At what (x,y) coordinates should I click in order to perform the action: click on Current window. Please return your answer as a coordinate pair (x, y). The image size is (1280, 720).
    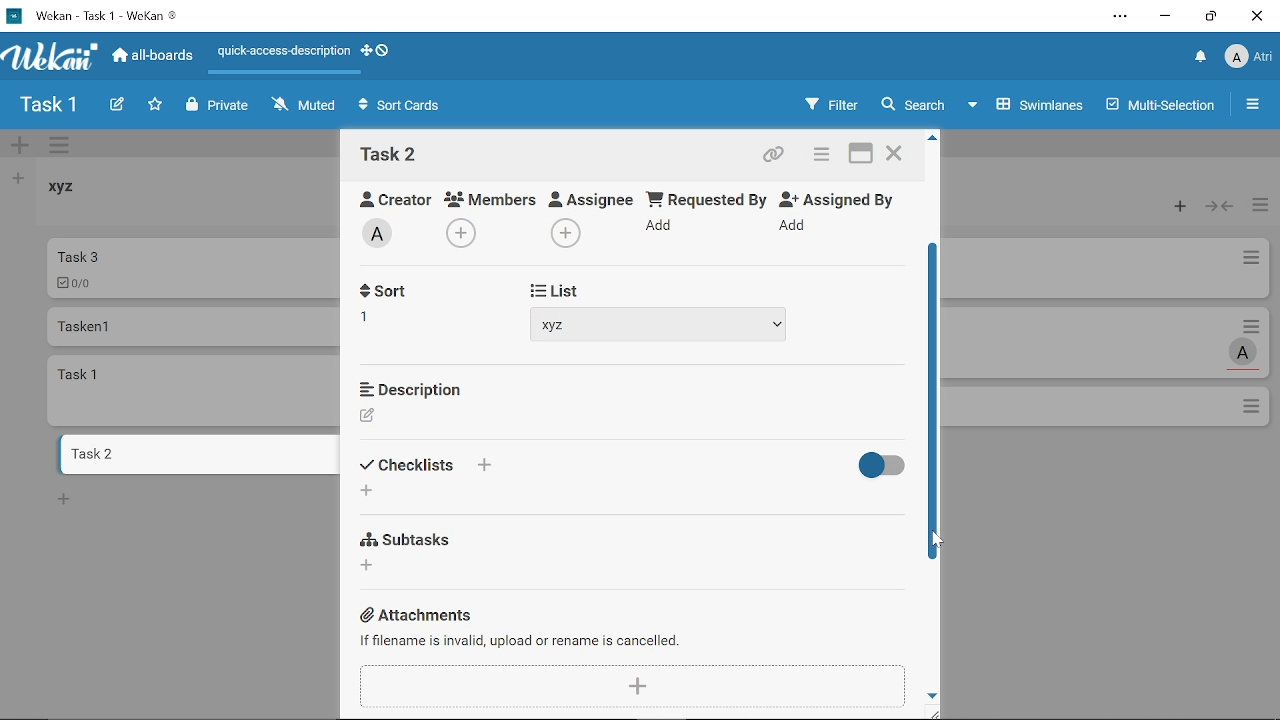
    Looking at the image, I should click on (92, 14).